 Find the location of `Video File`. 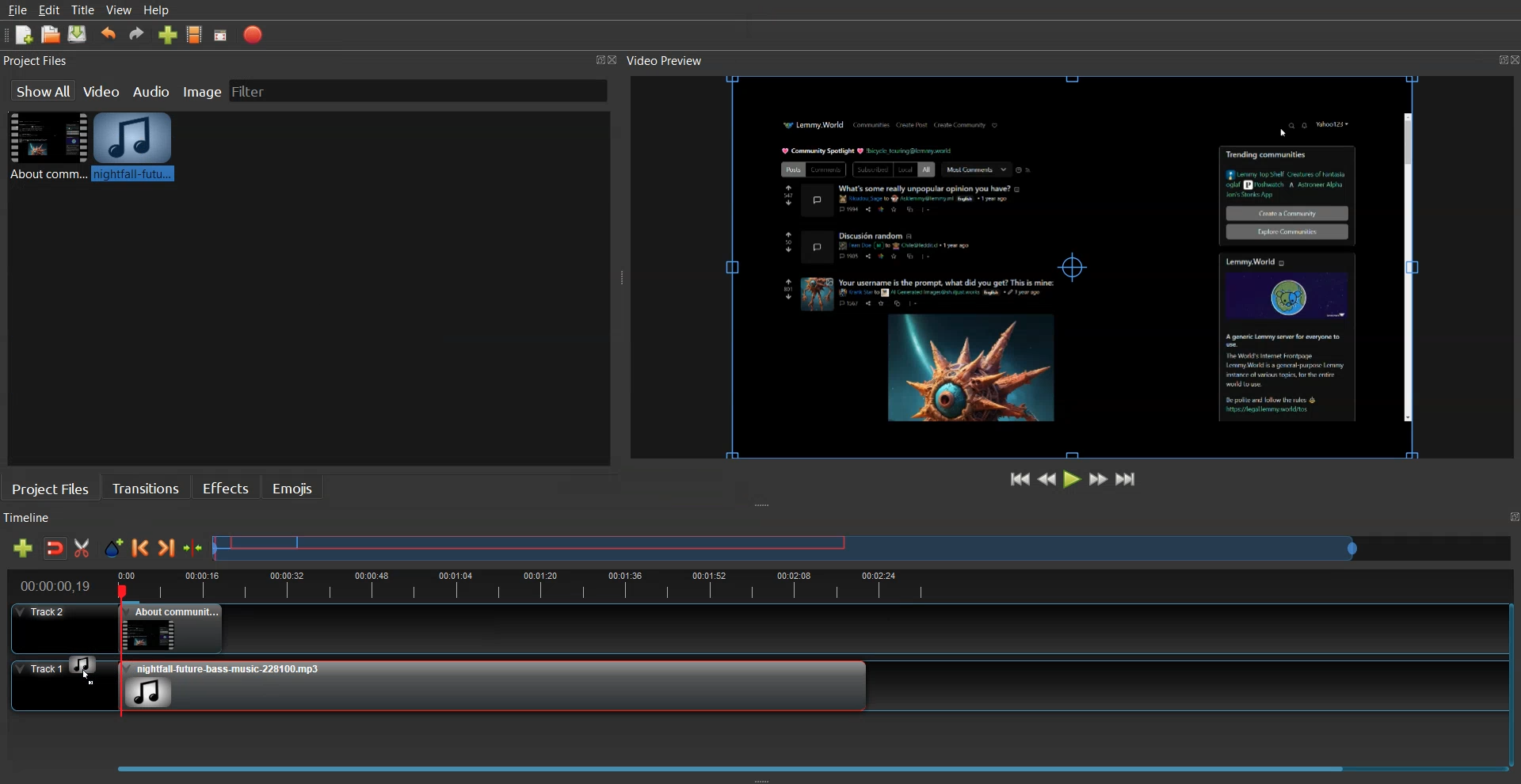

Video File is located at coordinates (45, 146).